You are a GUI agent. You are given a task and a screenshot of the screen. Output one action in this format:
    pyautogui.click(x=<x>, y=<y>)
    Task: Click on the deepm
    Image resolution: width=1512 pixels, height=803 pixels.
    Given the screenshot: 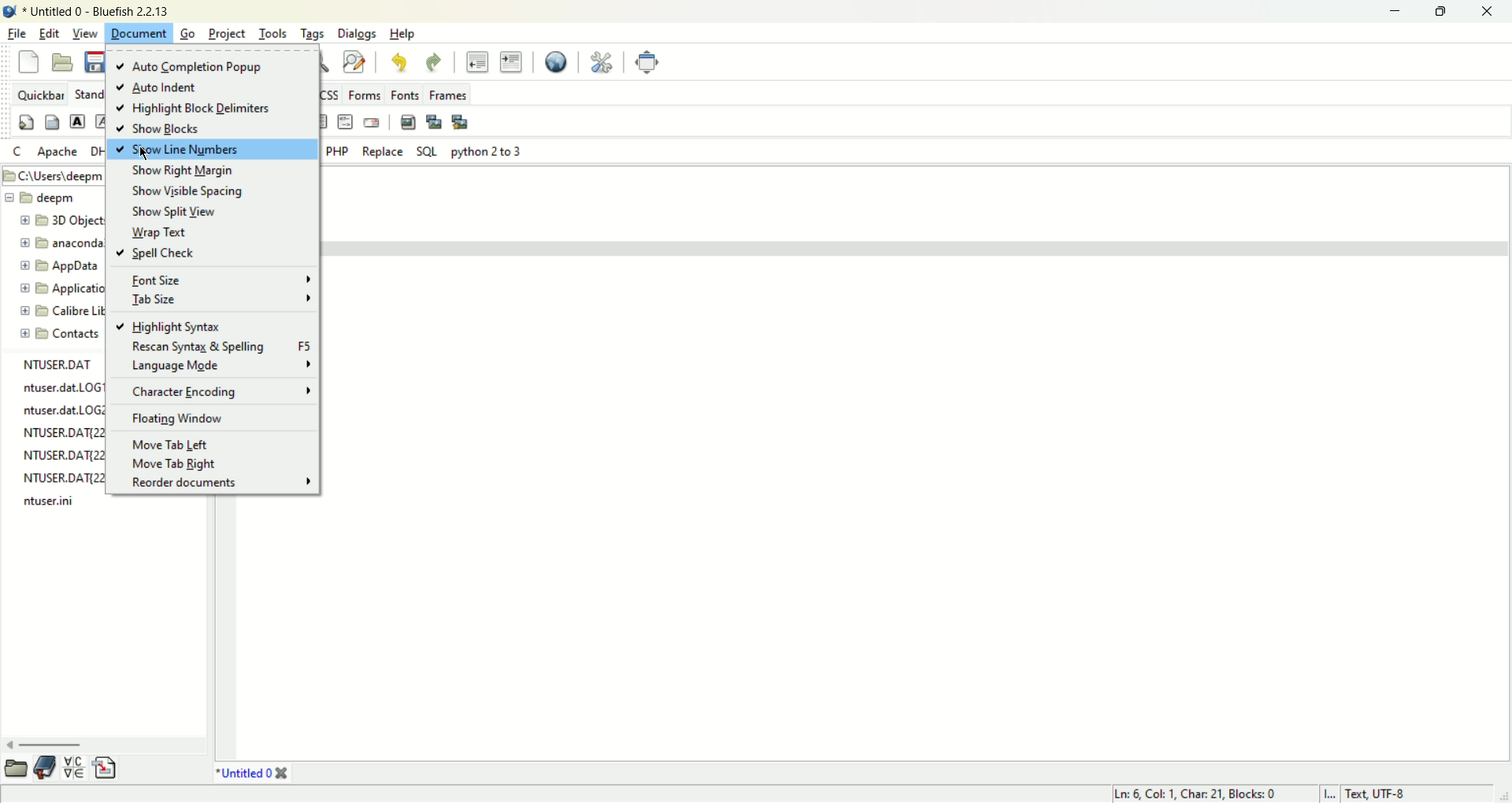 What is the action you would take?
    pyautogui.click(x=43, y=197)
    